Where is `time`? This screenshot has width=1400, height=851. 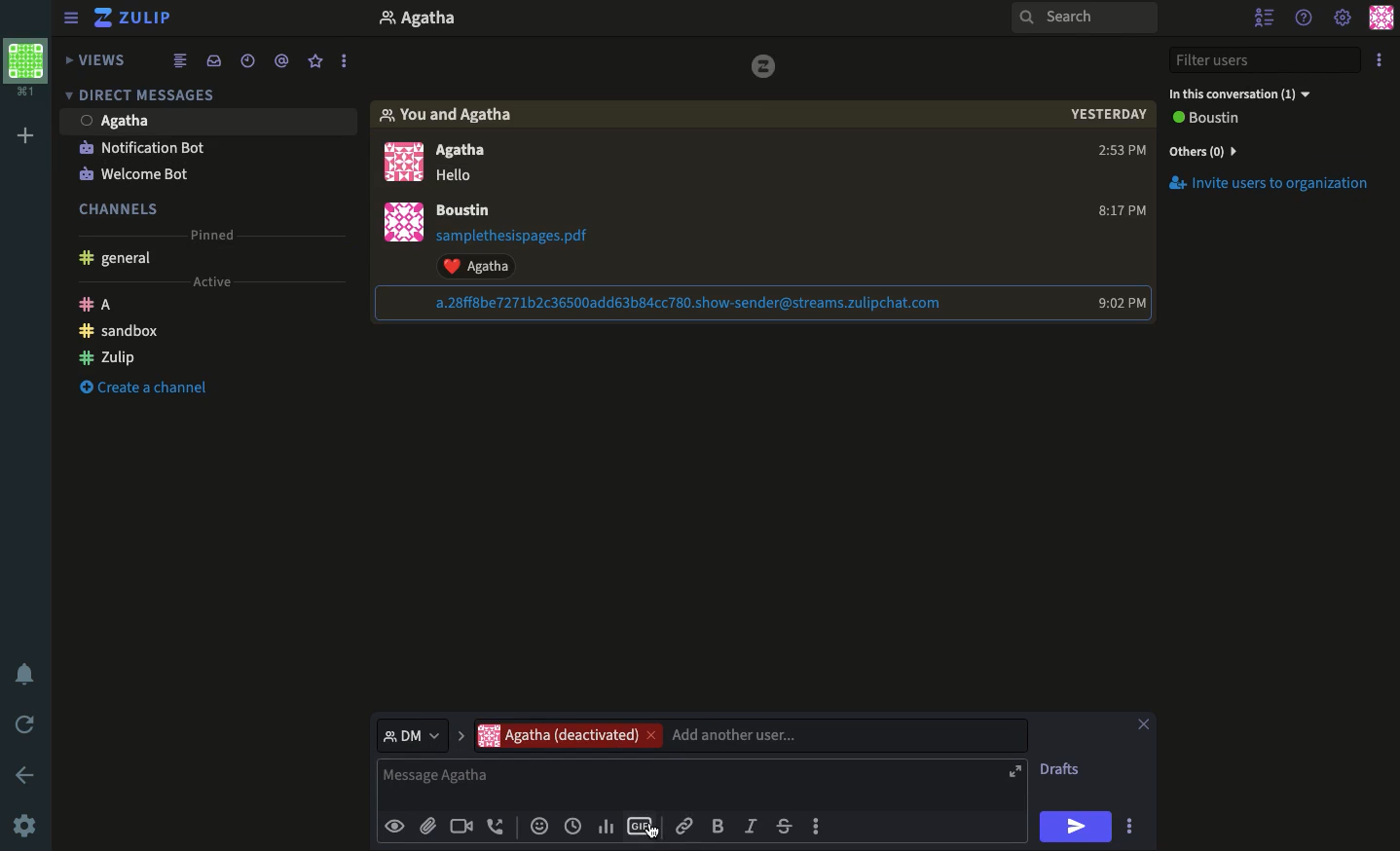 time is located at coordinates (1117, 303).